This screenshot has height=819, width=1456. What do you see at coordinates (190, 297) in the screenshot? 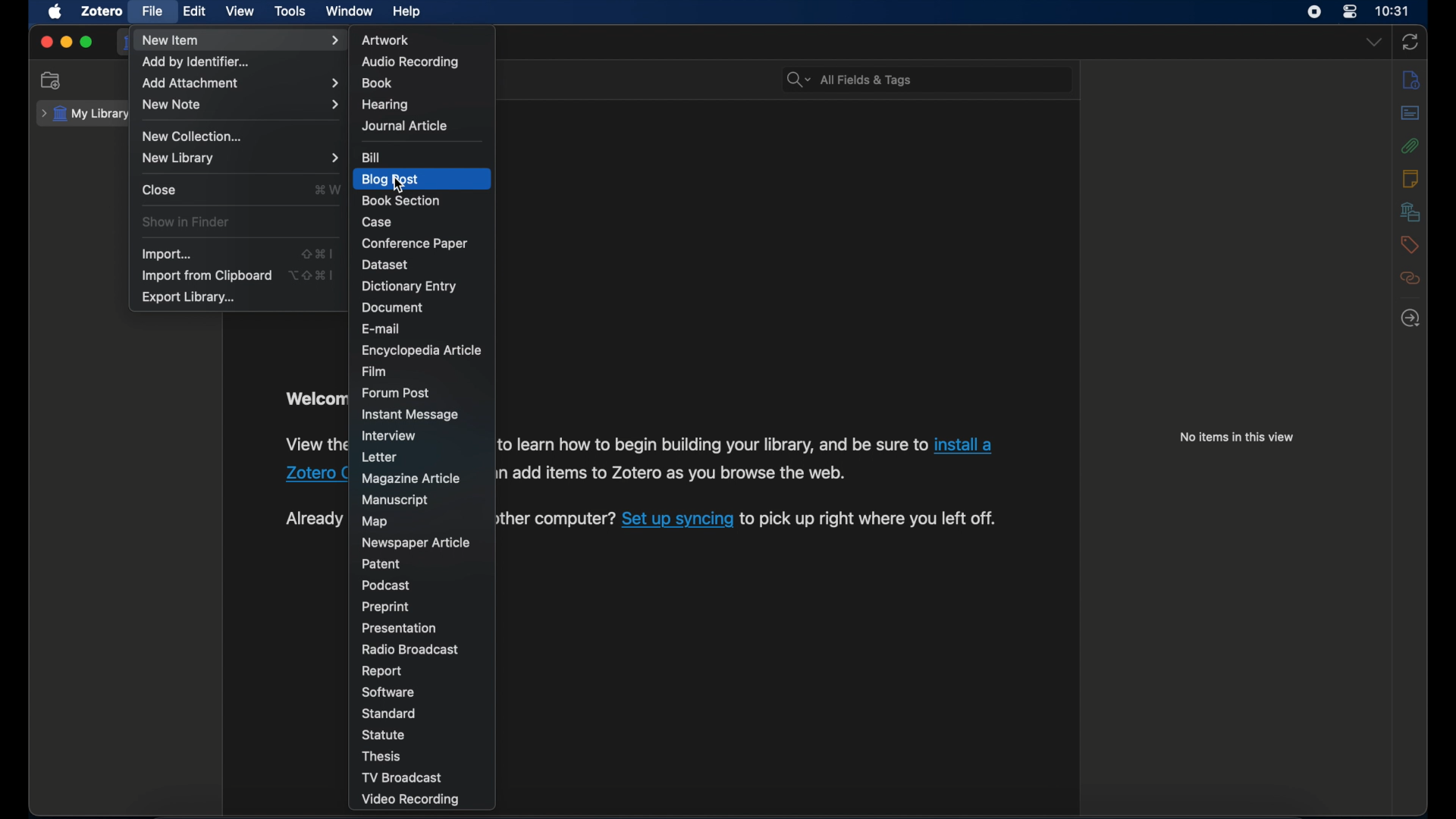
I see `export library` at bounding box center [190, 297].